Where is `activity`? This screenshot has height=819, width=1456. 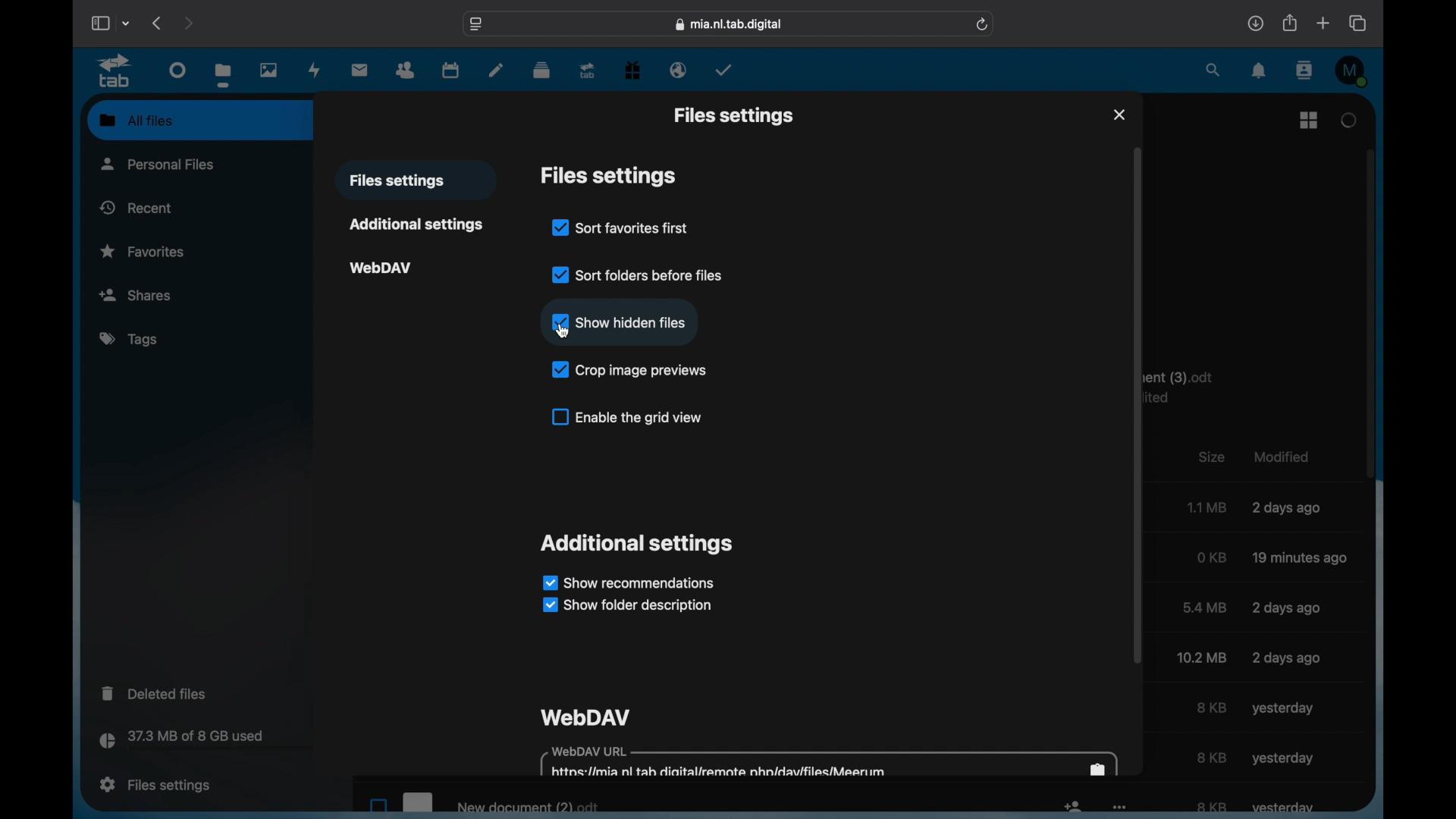 activity is located at coordinates (314, 70).